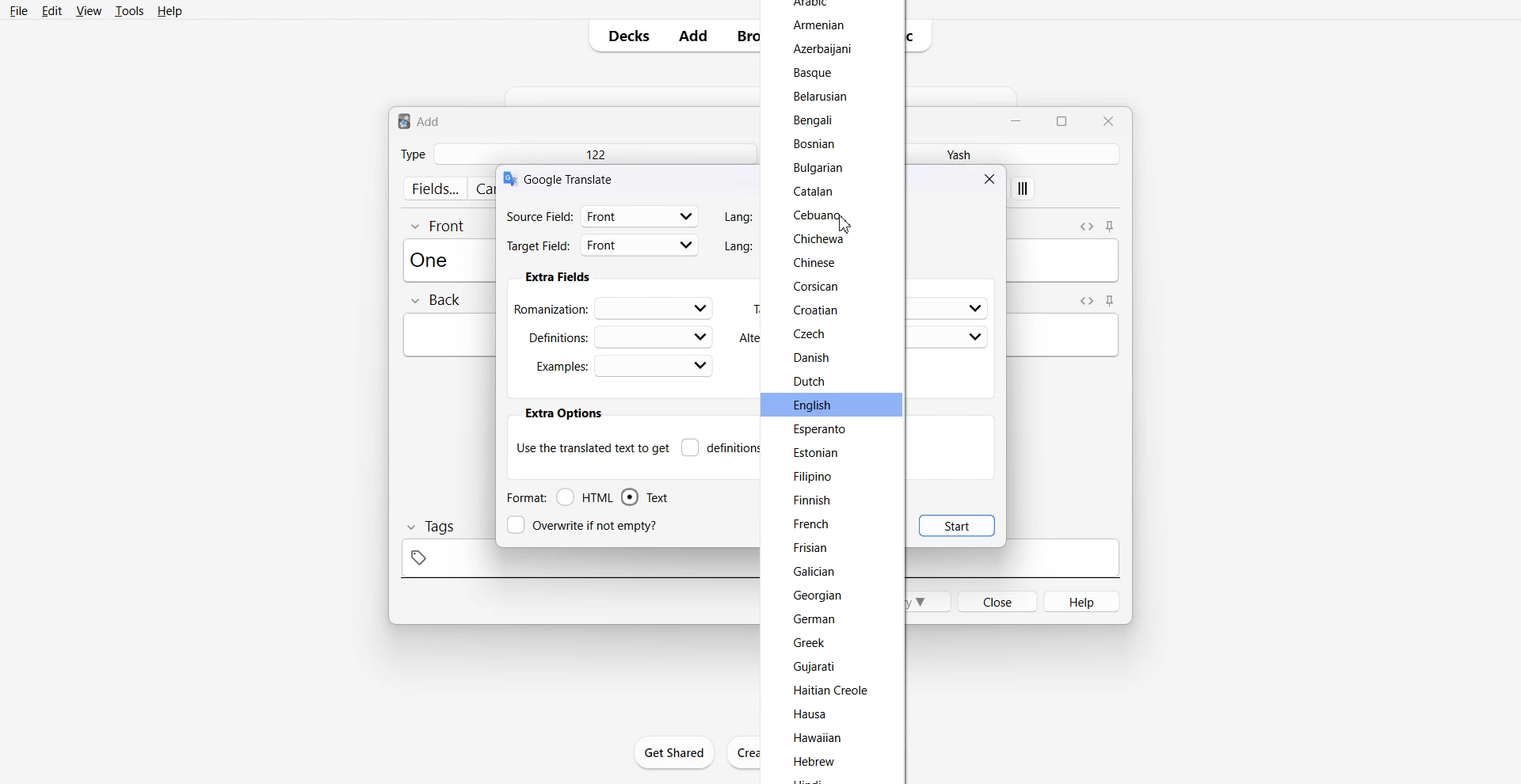 The height and width of the screenshot is (784, 1521). I want to click on Bengali, so click(816, 121).